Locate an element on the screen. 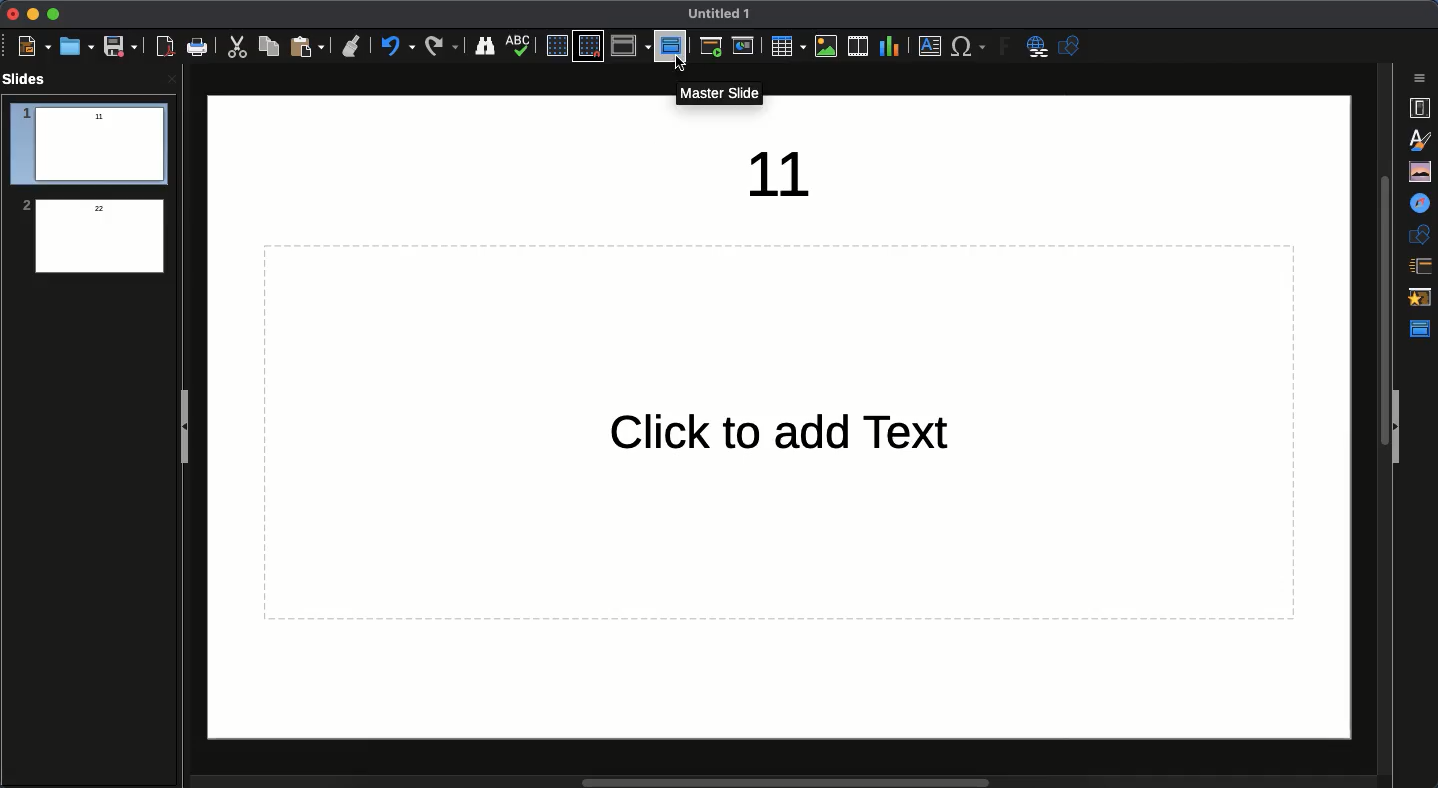 Image resolution: width=1438 pixels, height=788 pixels. Styles is located at coordinates (1424, 139).